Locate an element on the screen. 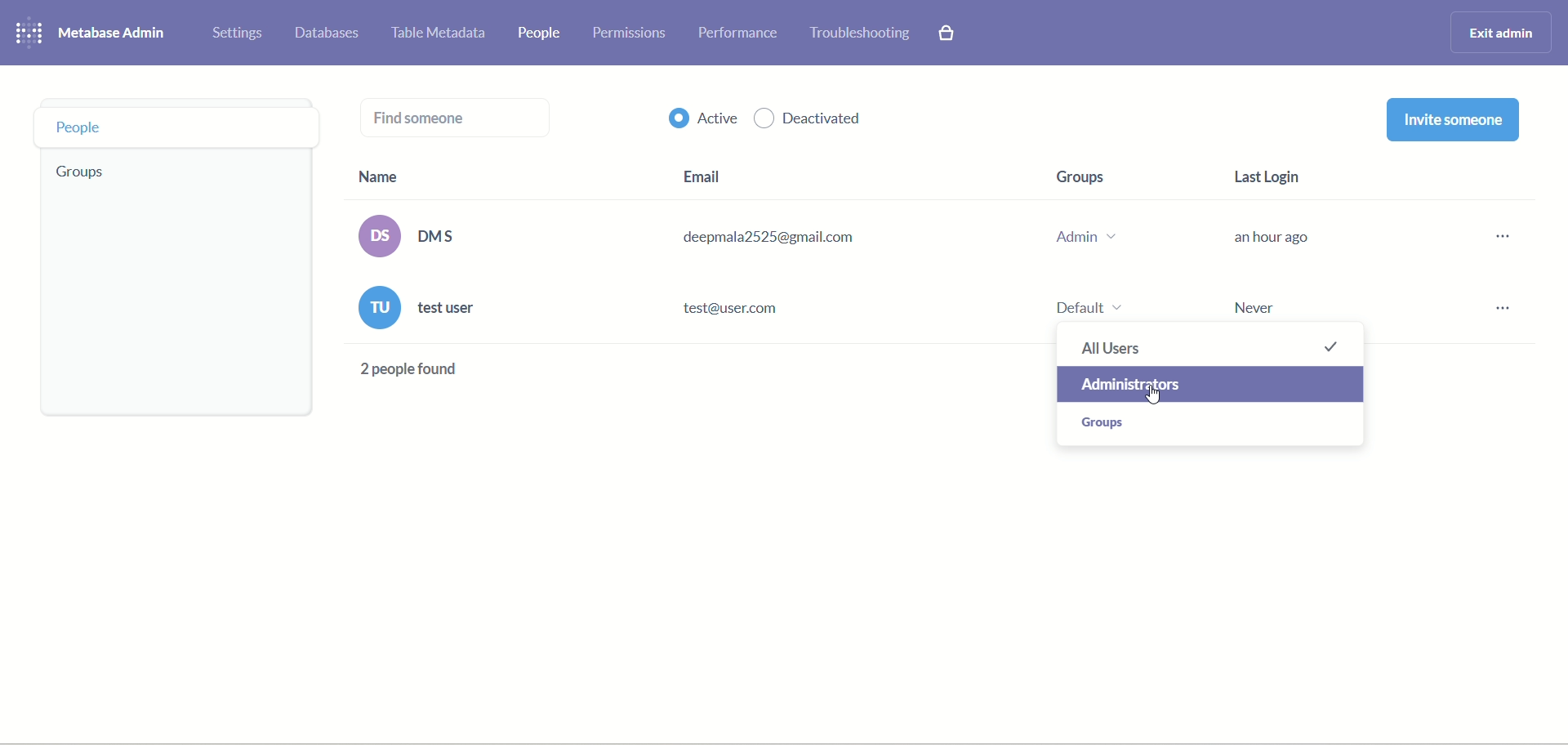 The image size is (1568, 745). logo is located at coordinates (30, 30).